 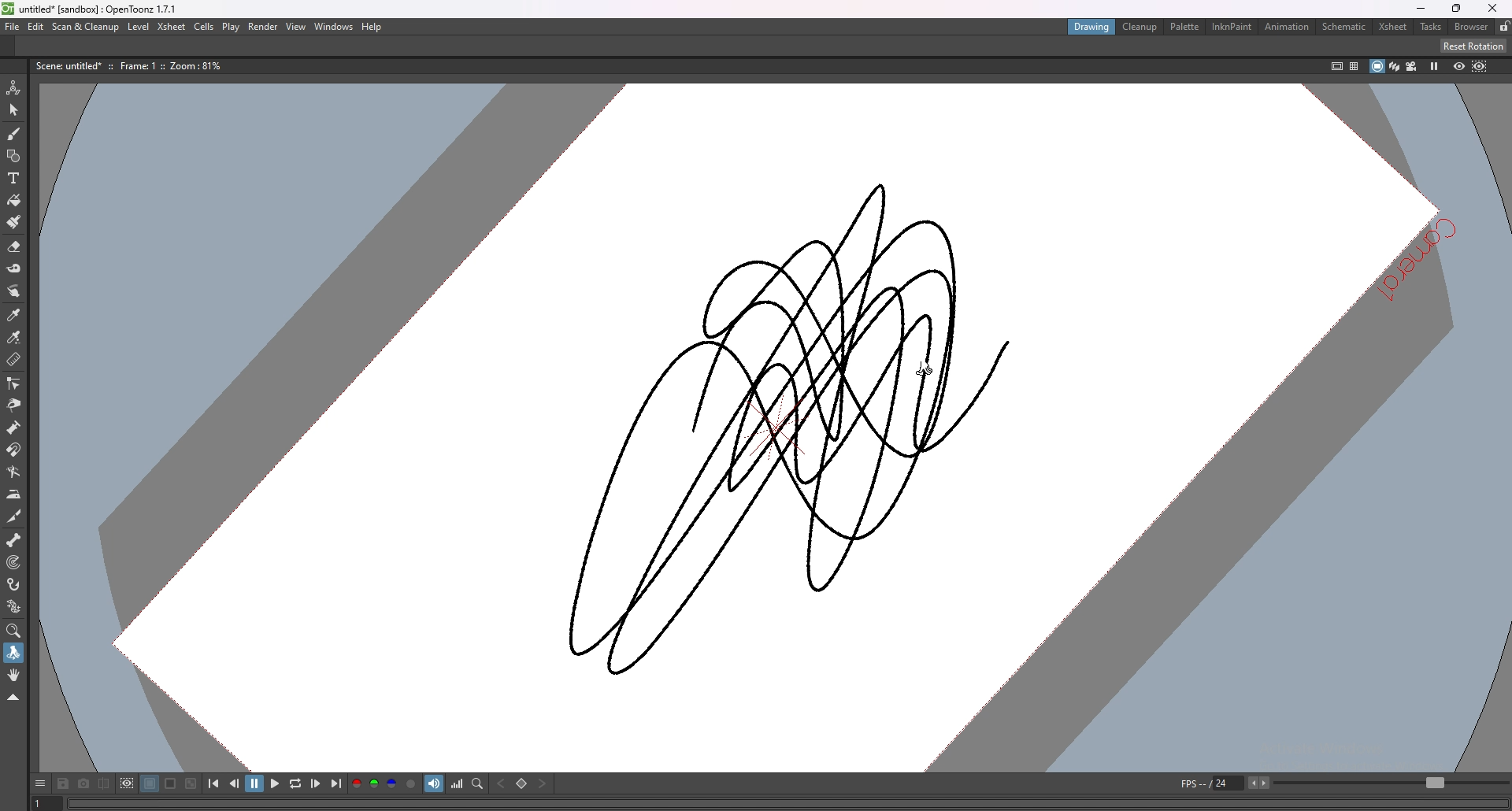 What do you see at coordinates (1434, 66) in the screenshot?
I see `freeze` at bounding box center [1434, 66].